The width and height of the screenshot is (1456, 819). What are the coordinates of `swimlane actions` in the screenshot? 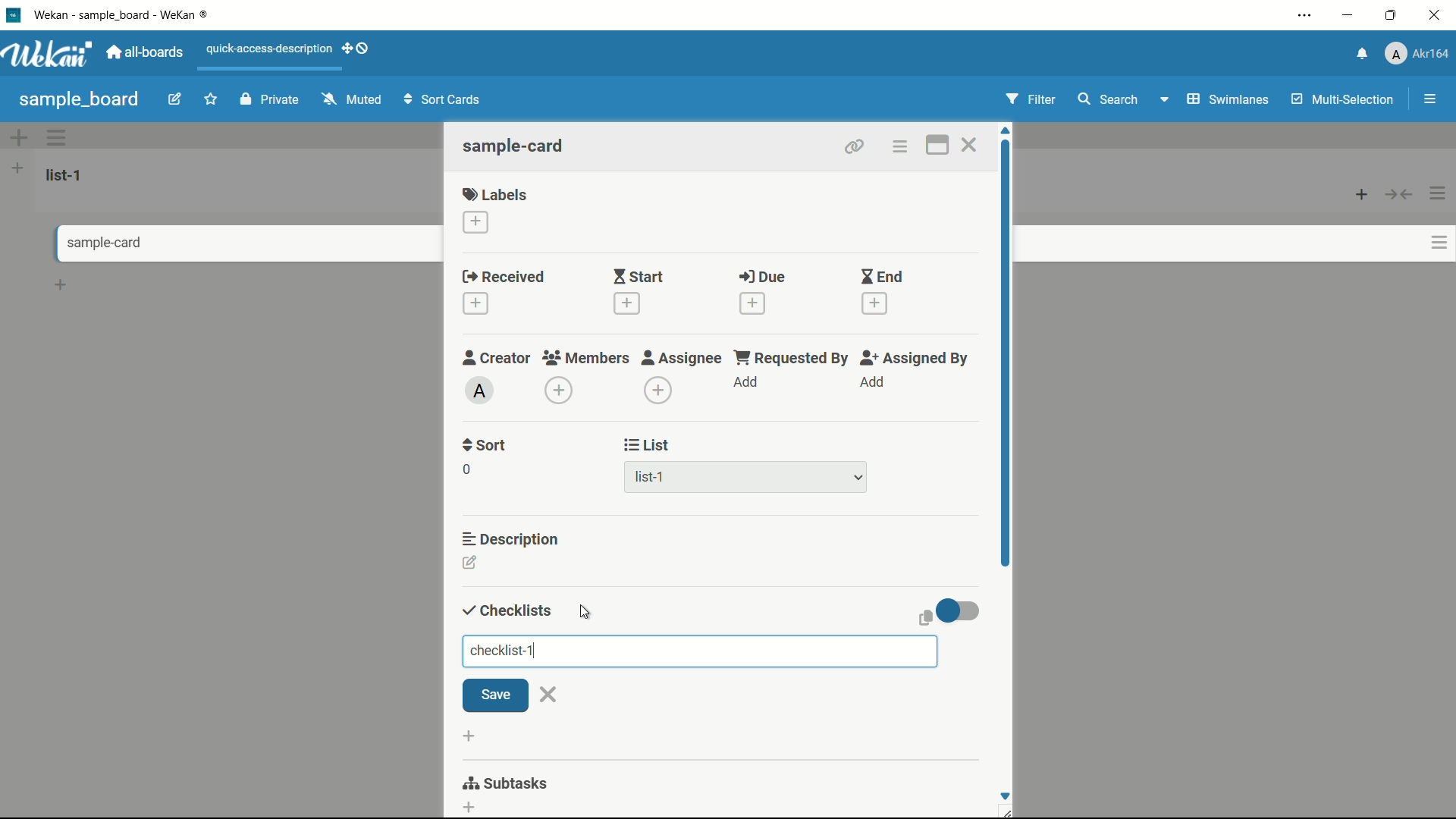 It's located at (58, 137).